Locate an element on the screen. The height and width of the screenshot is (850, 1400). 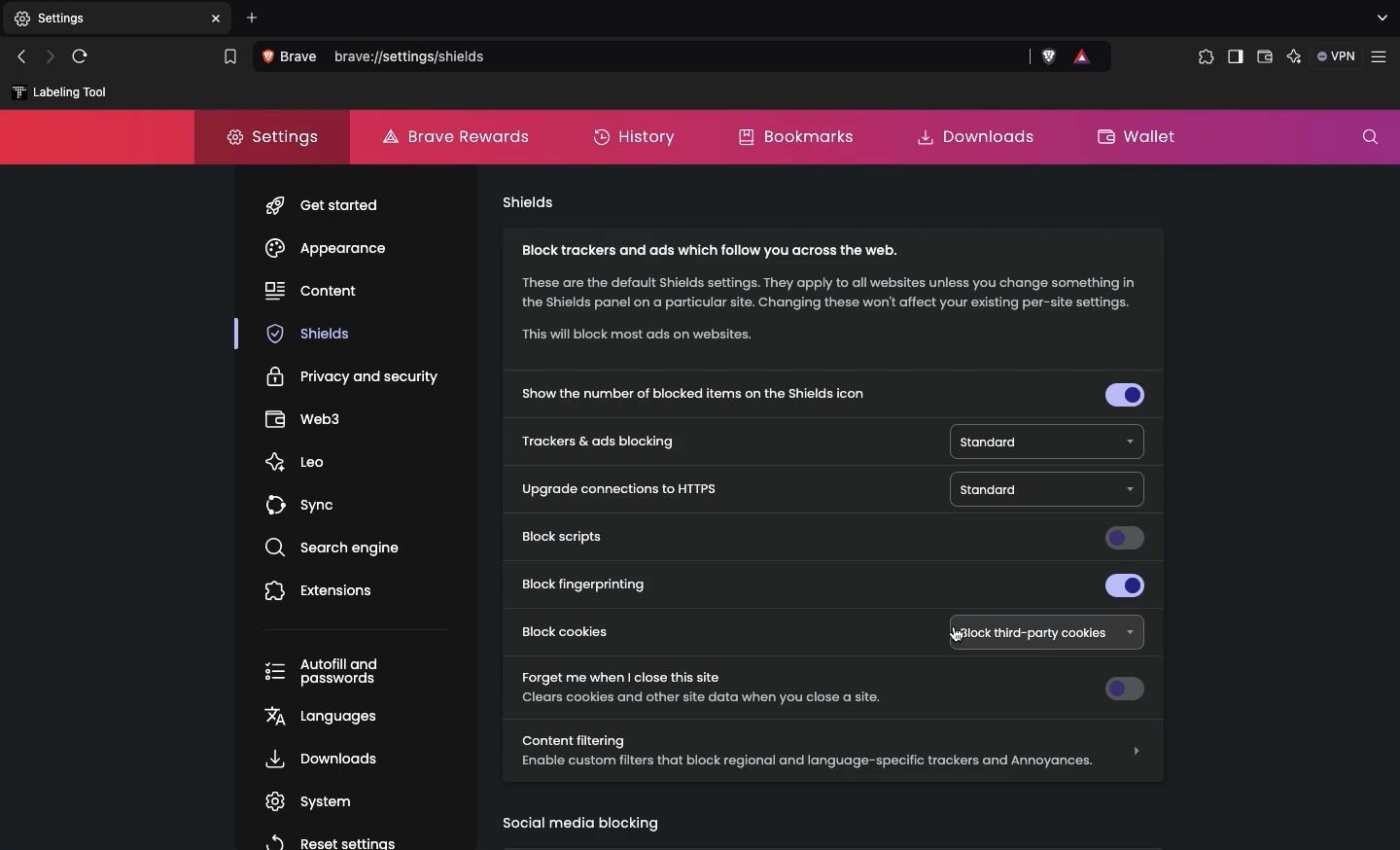
bookmark this tab is located at coordinates (230, 55).